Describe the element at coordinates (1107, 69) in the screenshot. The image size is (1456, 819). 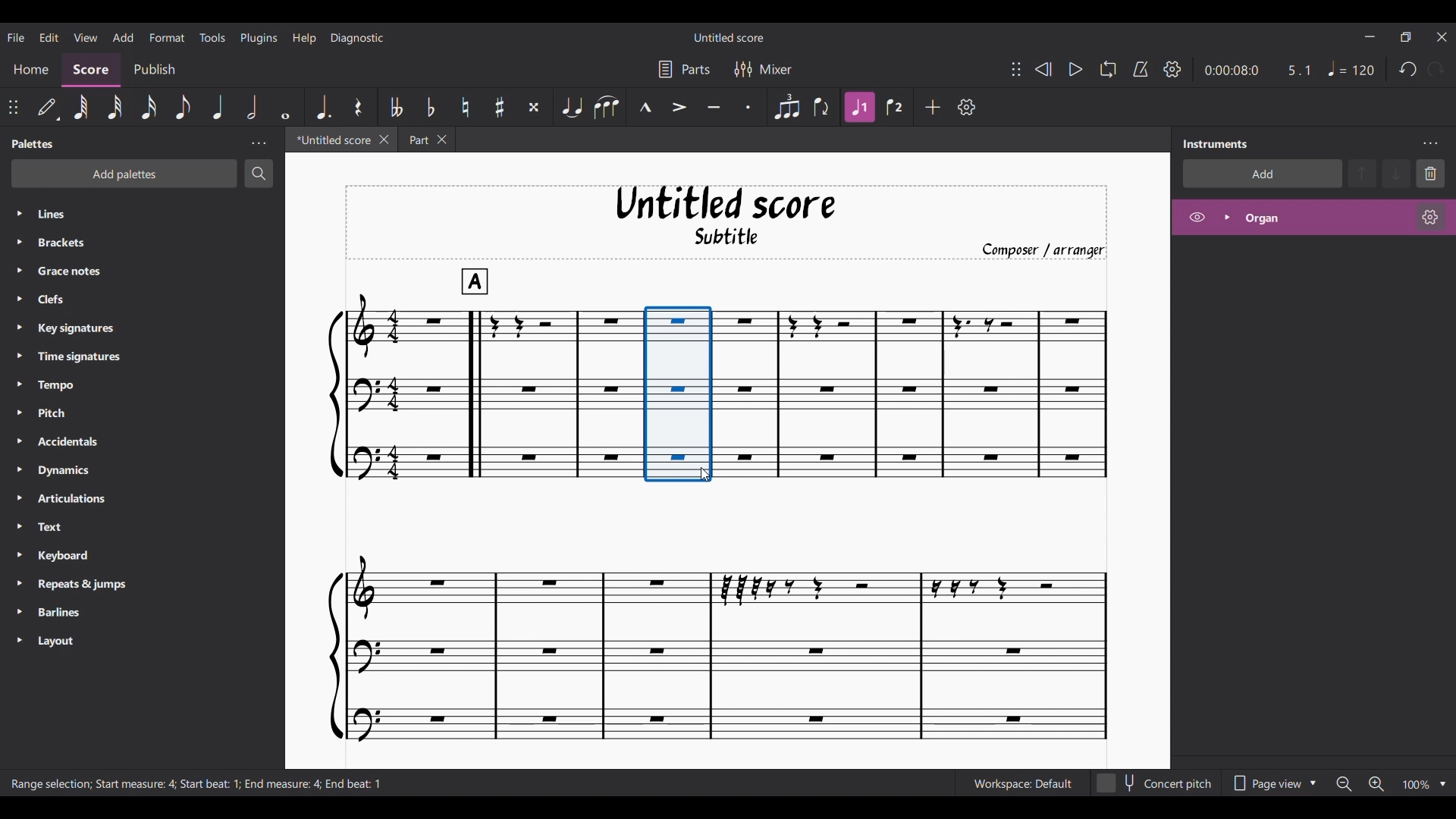
I see `Looping playback` at that location.